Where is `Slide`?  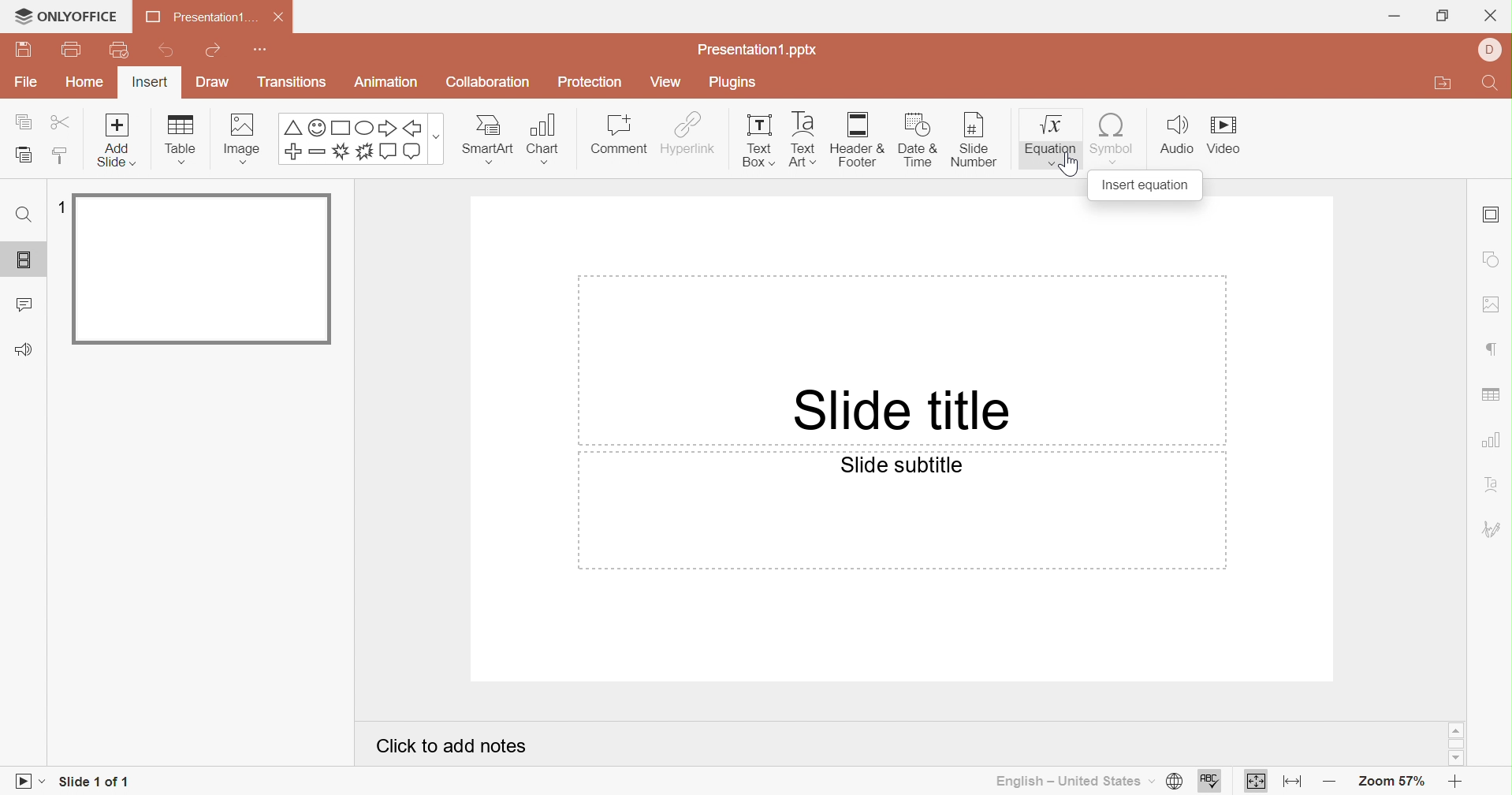
Slide is located at coordinates (203, 271).